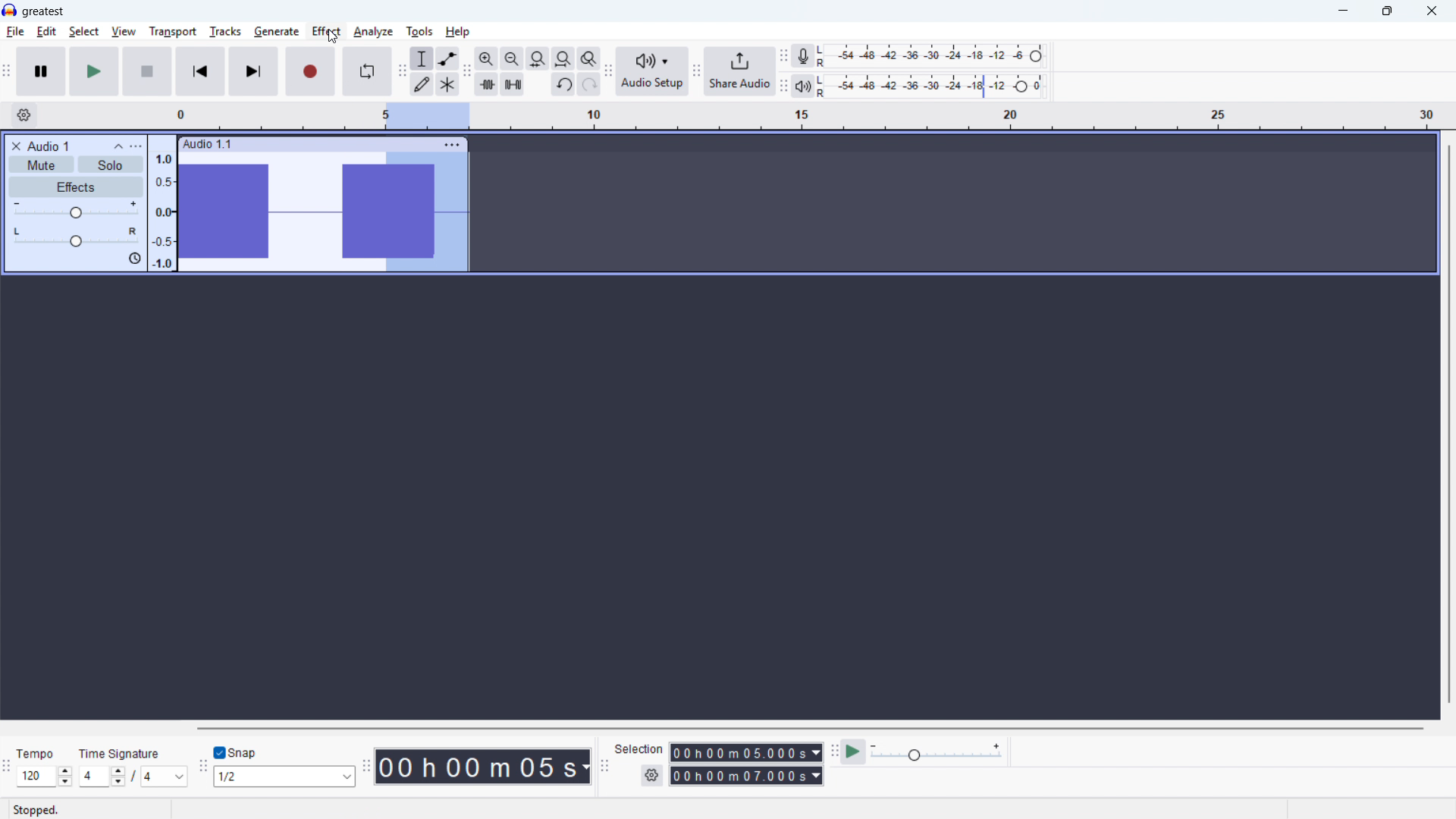  Describe the element at coordinates (163, 209) in the screenshot. I see `amplitude` at that location.